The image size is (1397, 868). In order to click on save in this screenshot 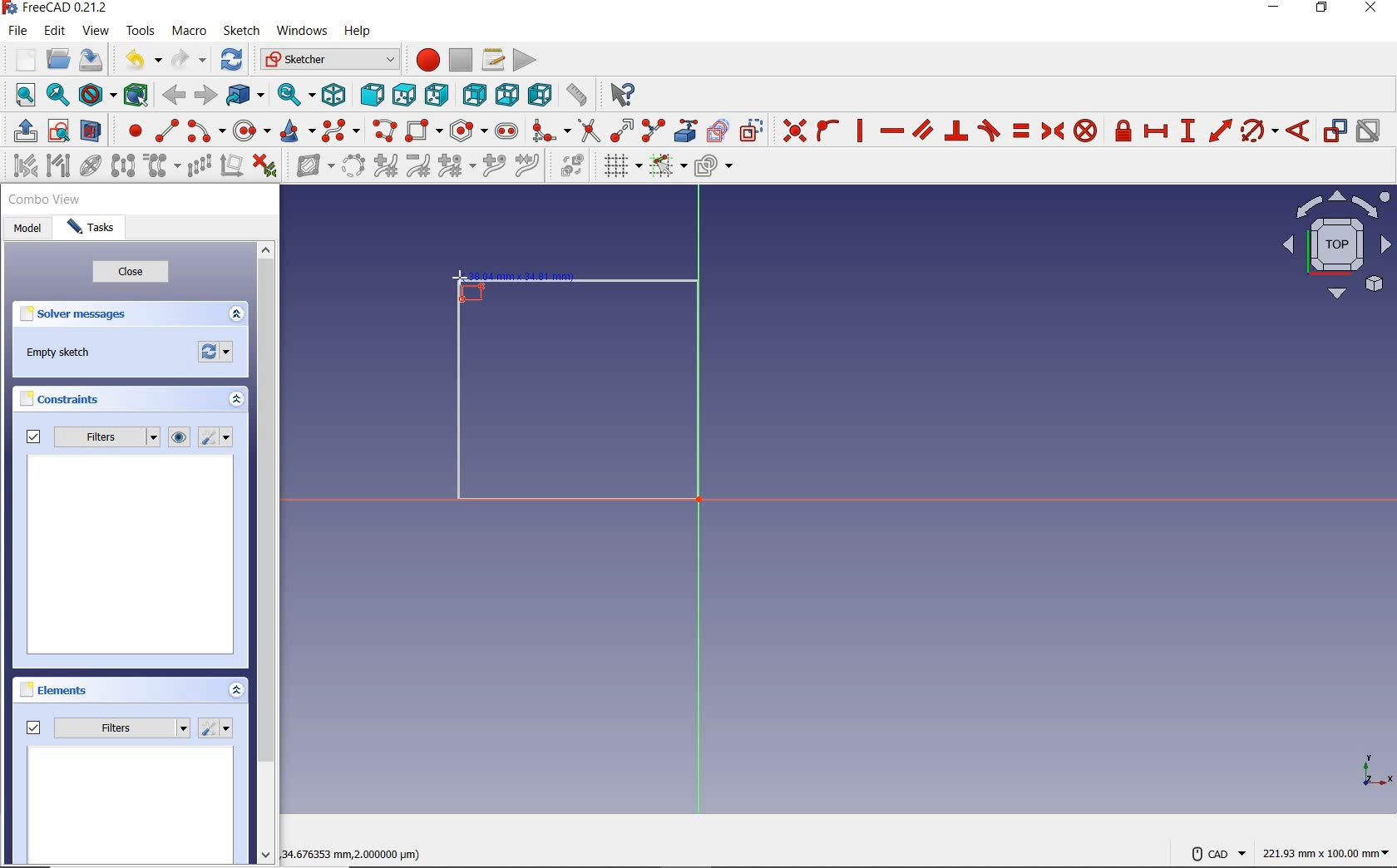, I will do `click(94, 62)`.